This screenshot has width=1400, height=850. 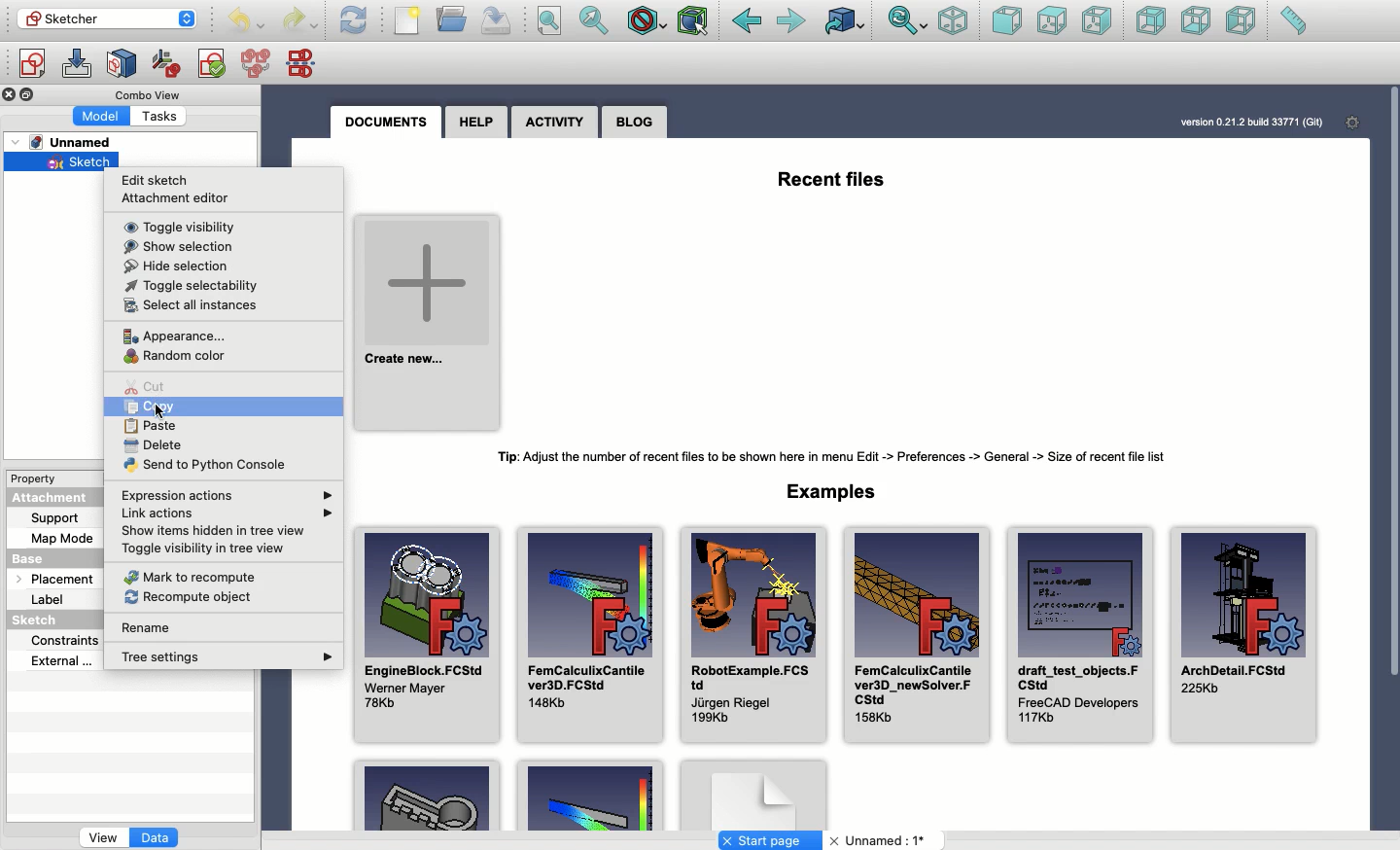 What do you see at coordinates (1391, 438) in the screenshot?
I see `Scroll` at bounding box center [1391, 438].